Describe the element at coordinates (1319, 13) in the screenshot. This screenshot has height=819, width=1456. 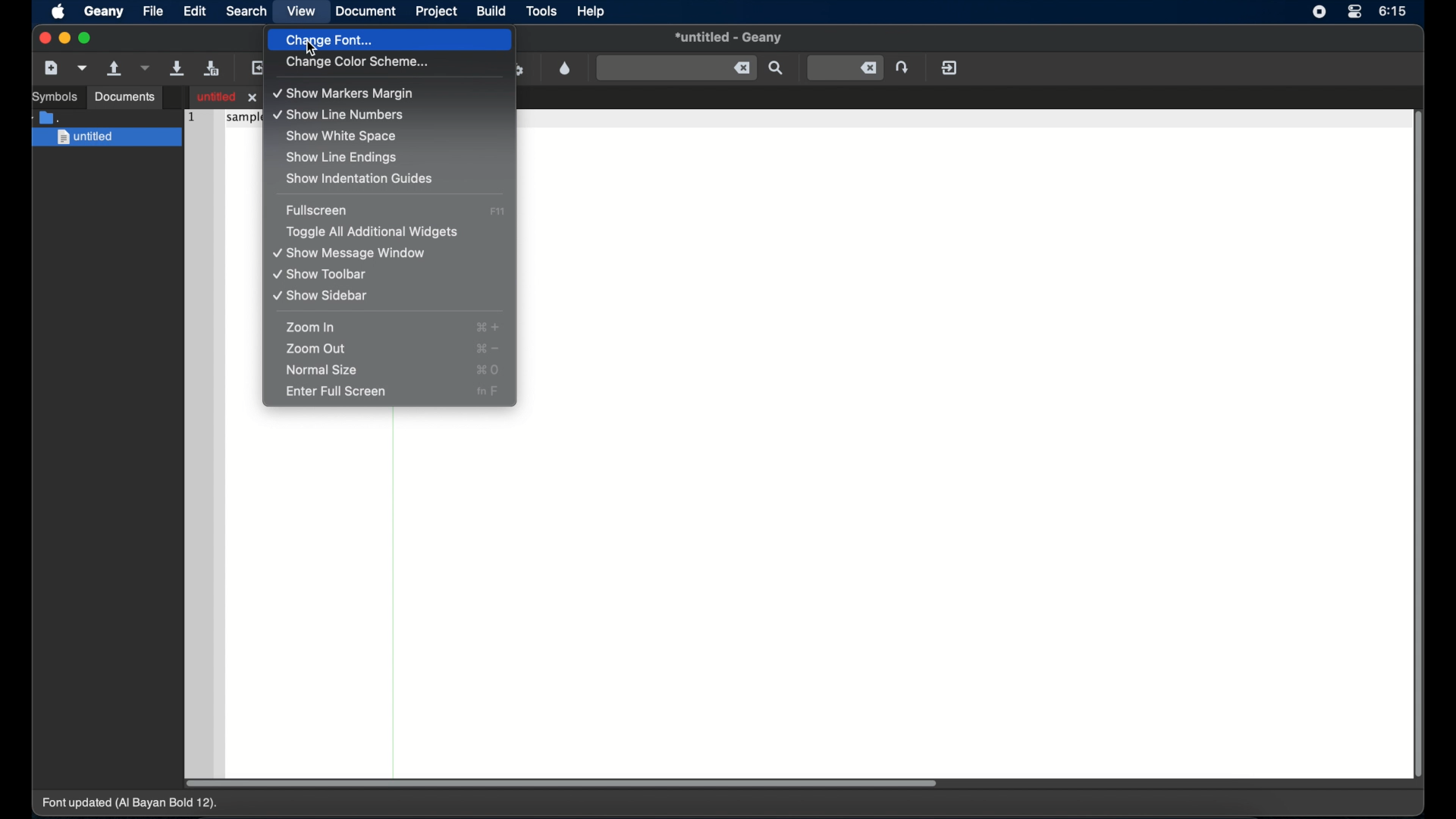
I see `screen recorder icon` at that location.